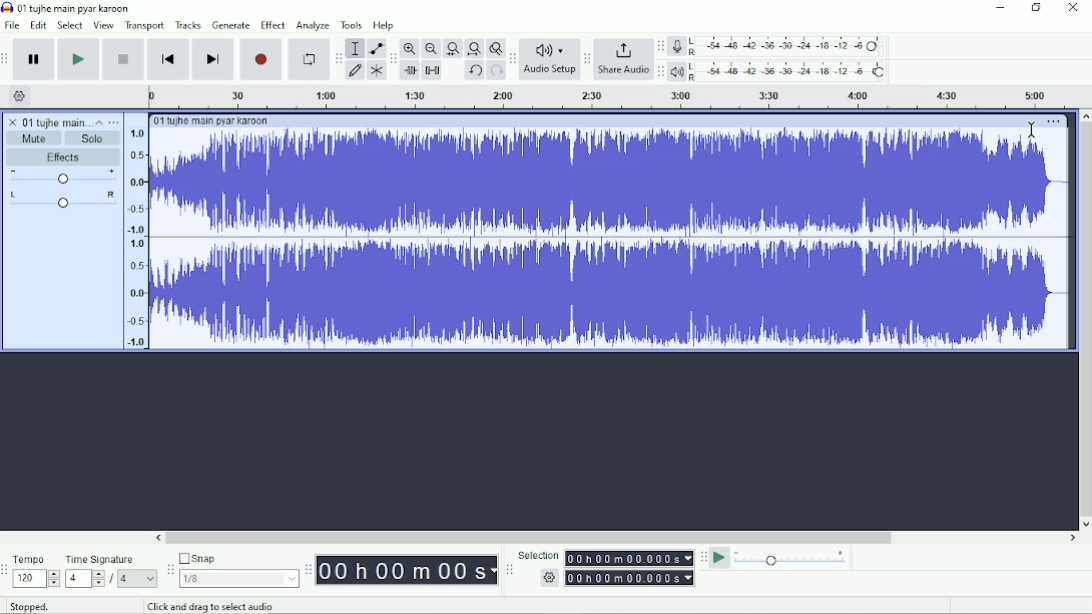  What do you see at coordinates (63, 177) in the screenshot?
I see `Volume` at bounding box center [63, 177].